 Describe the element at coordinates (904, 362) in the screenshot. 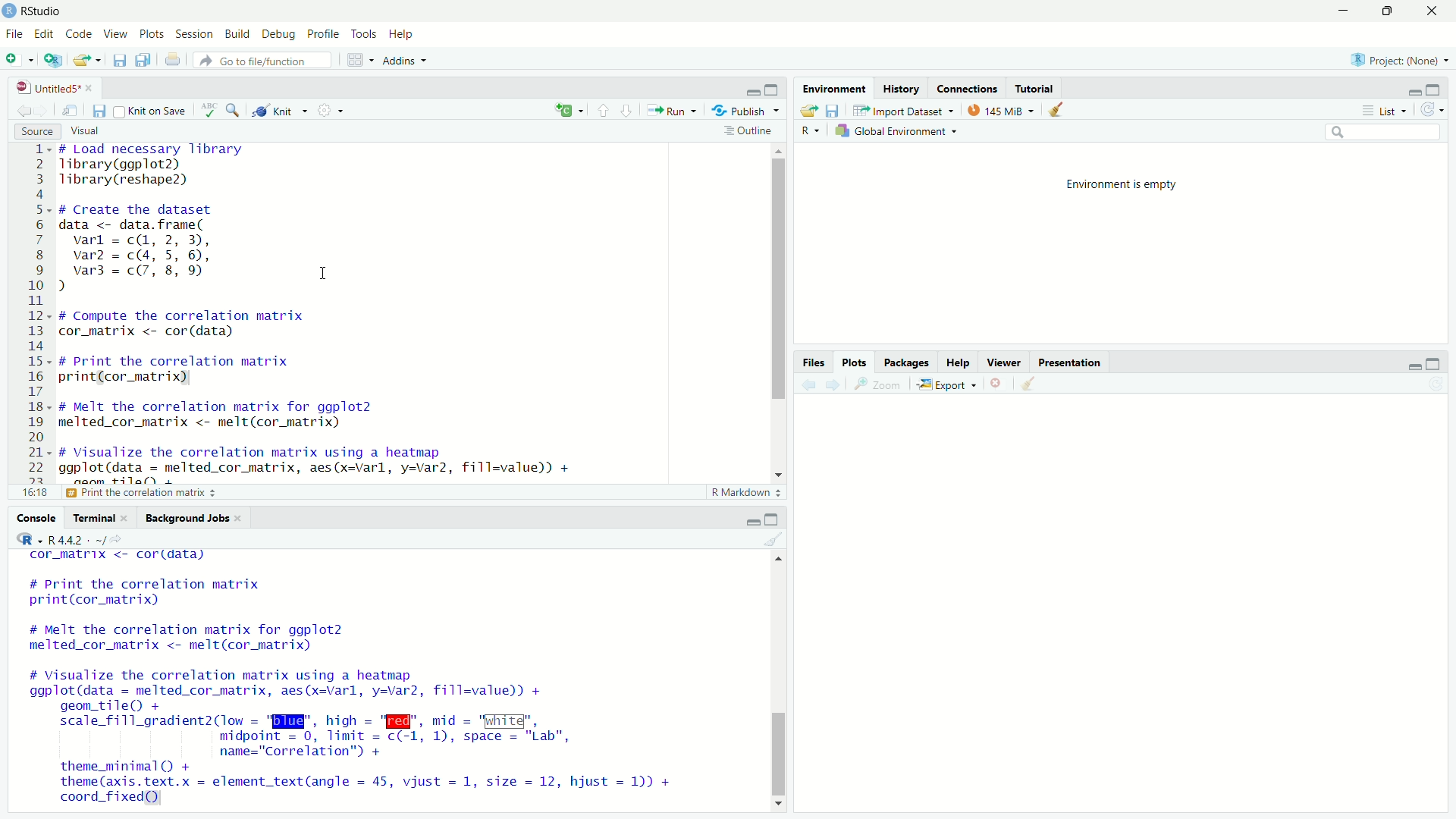

I see `packages` at that location.